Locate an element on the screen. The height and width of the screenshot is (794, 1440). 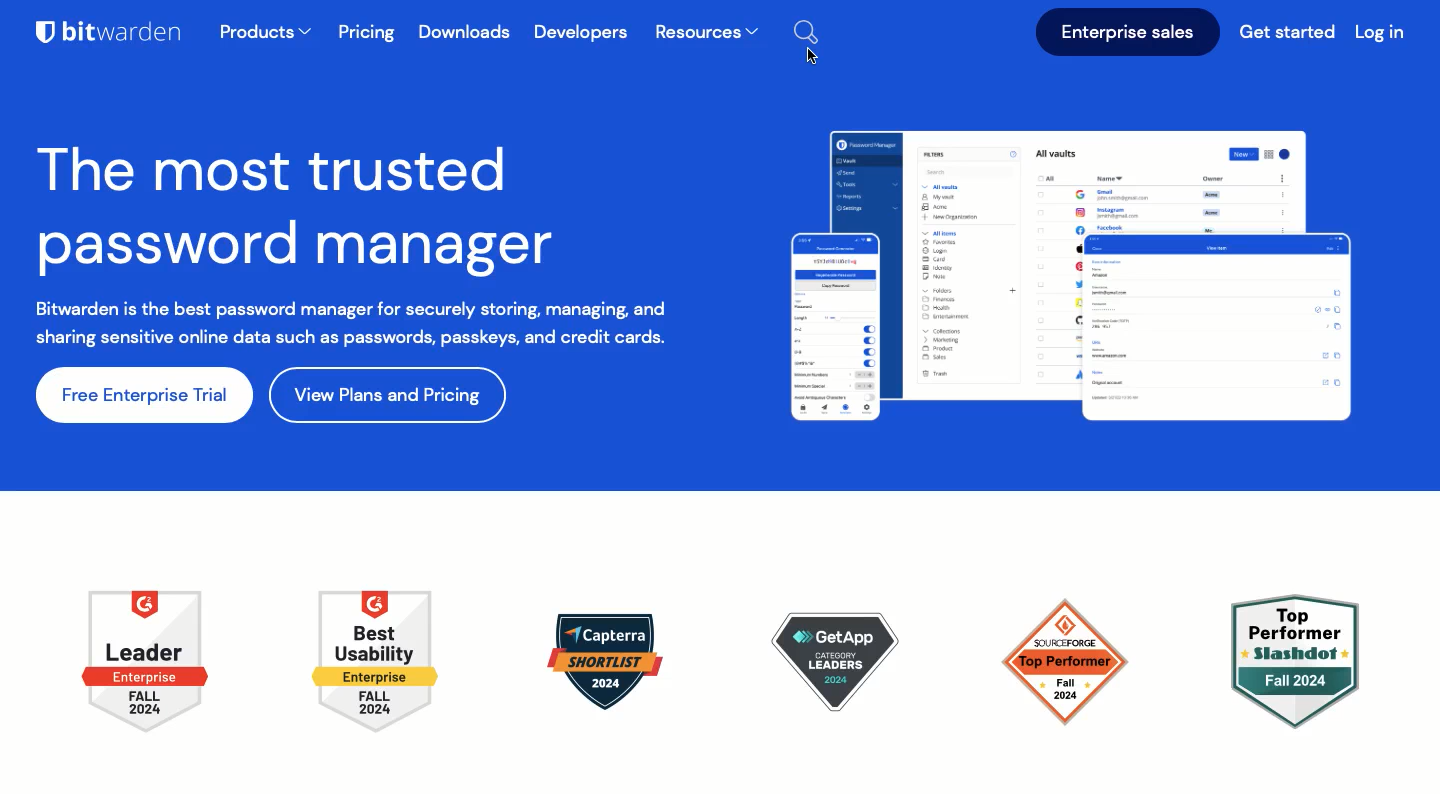
icons is located at coordinates (742, 663).